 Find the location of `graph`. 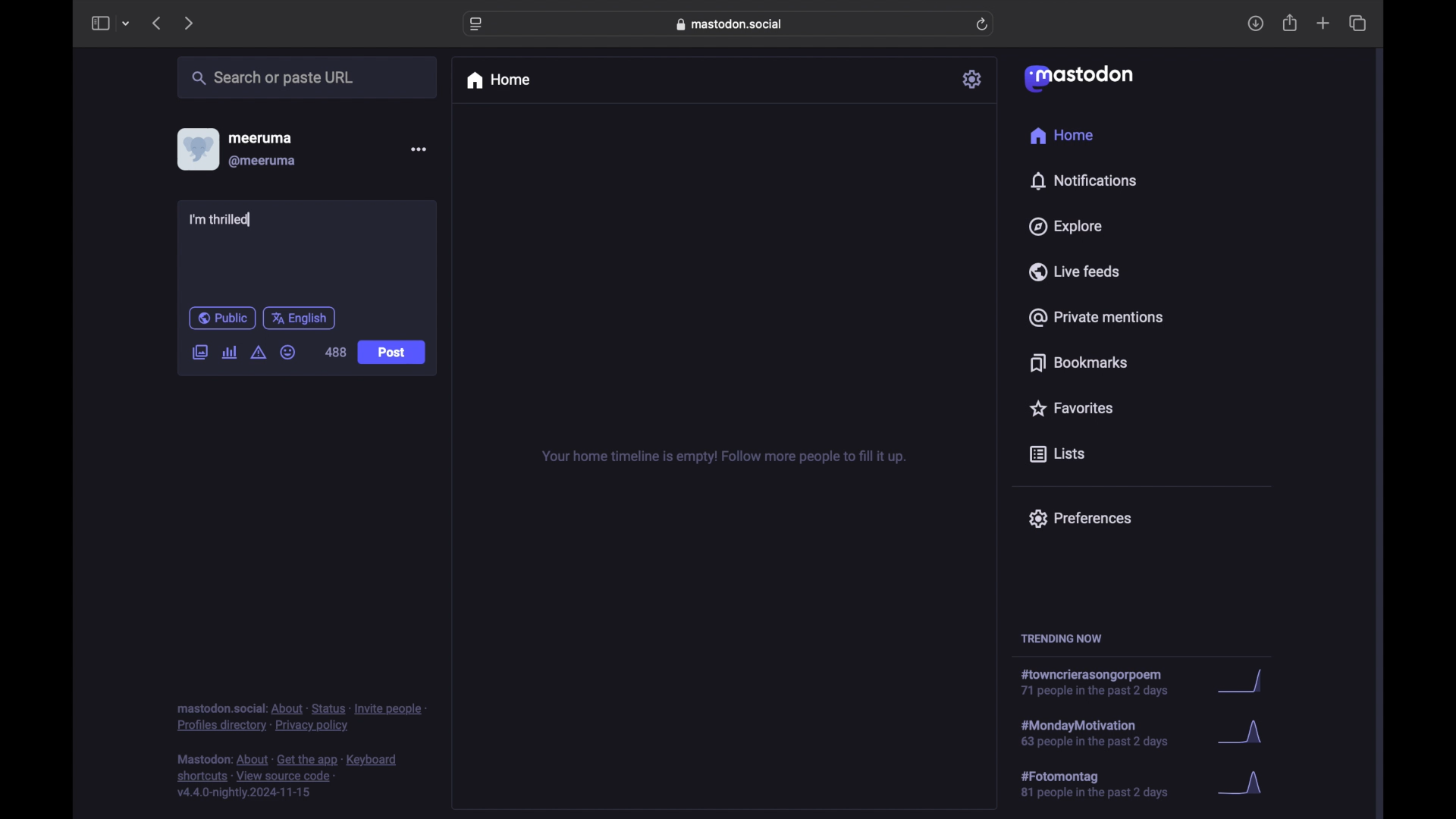

graph is located at coordinates (1245, 784).